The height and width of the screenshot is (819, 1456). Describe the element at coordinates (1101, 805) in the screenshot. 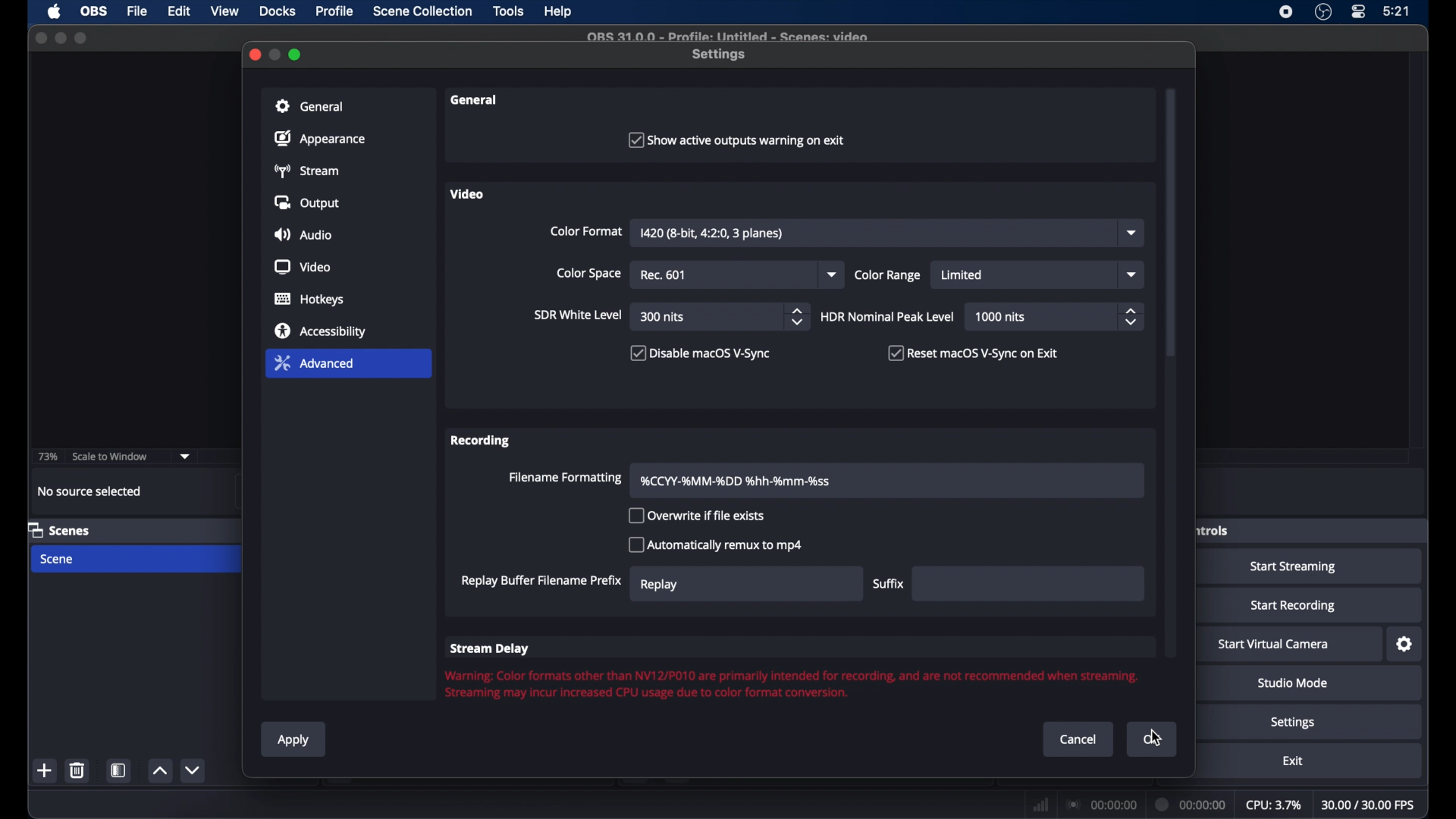

I see `connection` at that location.